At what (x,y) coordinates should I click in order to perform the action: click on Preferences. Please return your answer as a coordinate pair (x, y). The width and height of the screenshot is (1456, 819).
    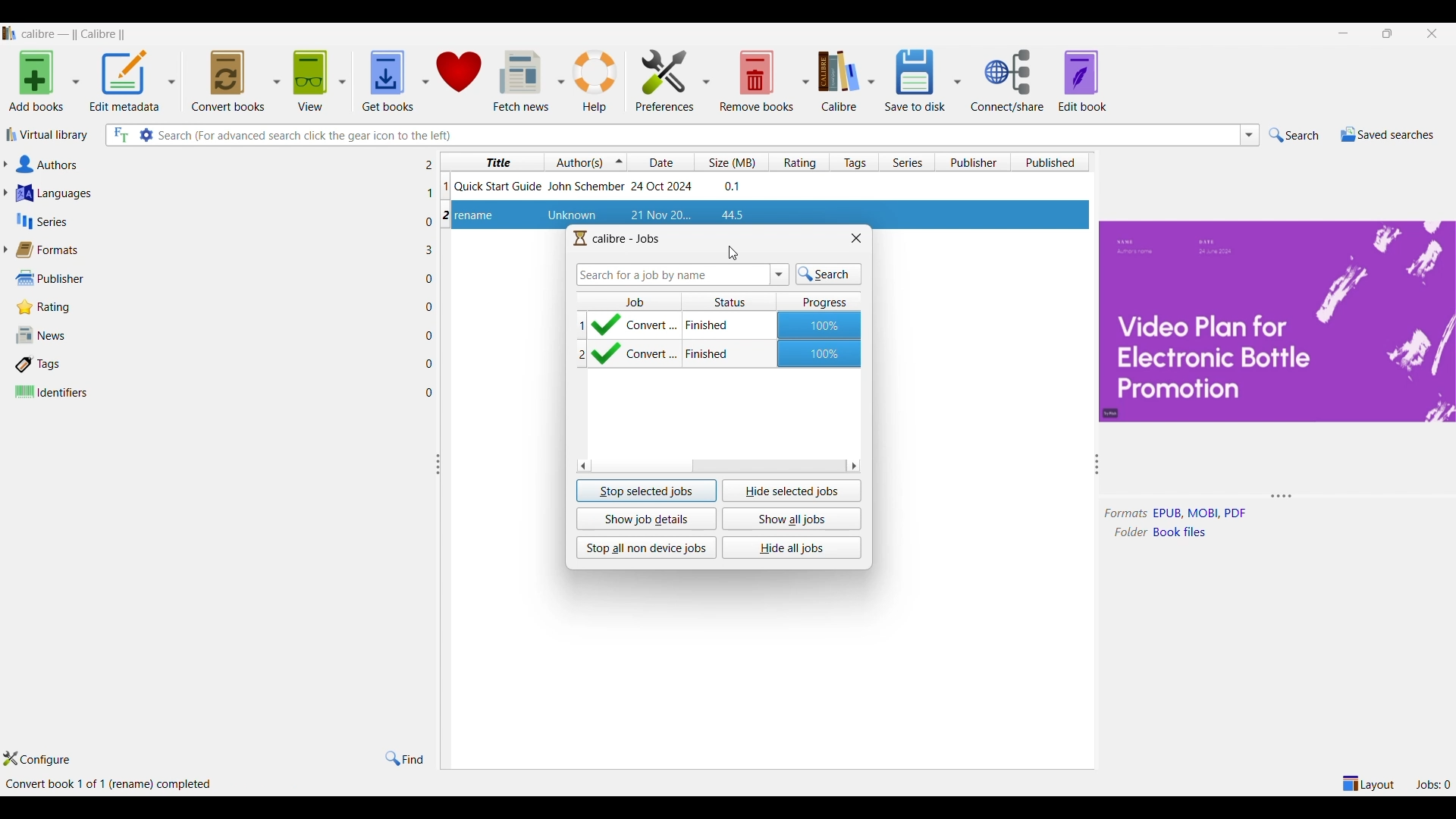
    Looking at the image, I should click on (665, 80).